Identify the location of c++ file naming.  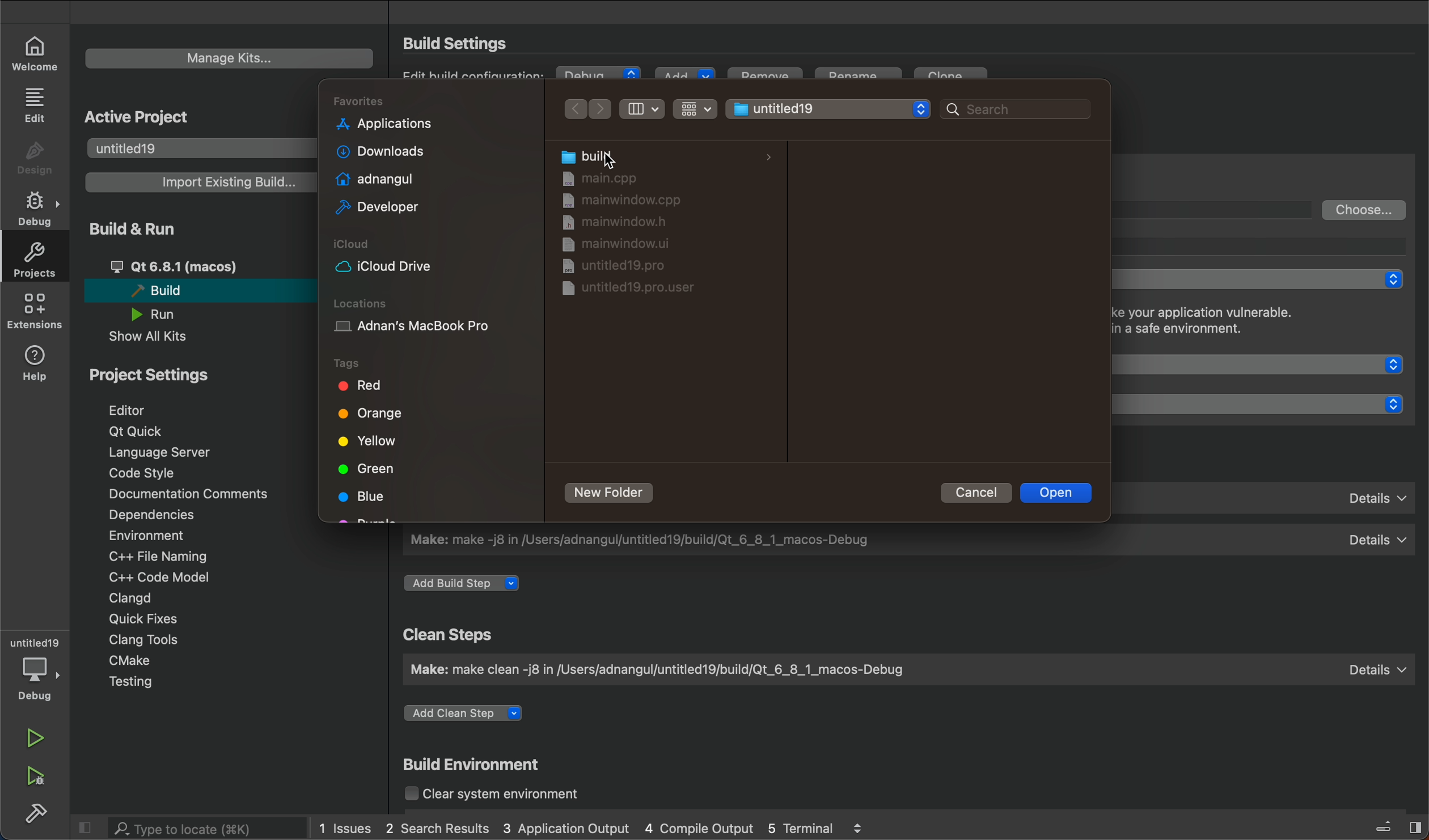
(156, 556).